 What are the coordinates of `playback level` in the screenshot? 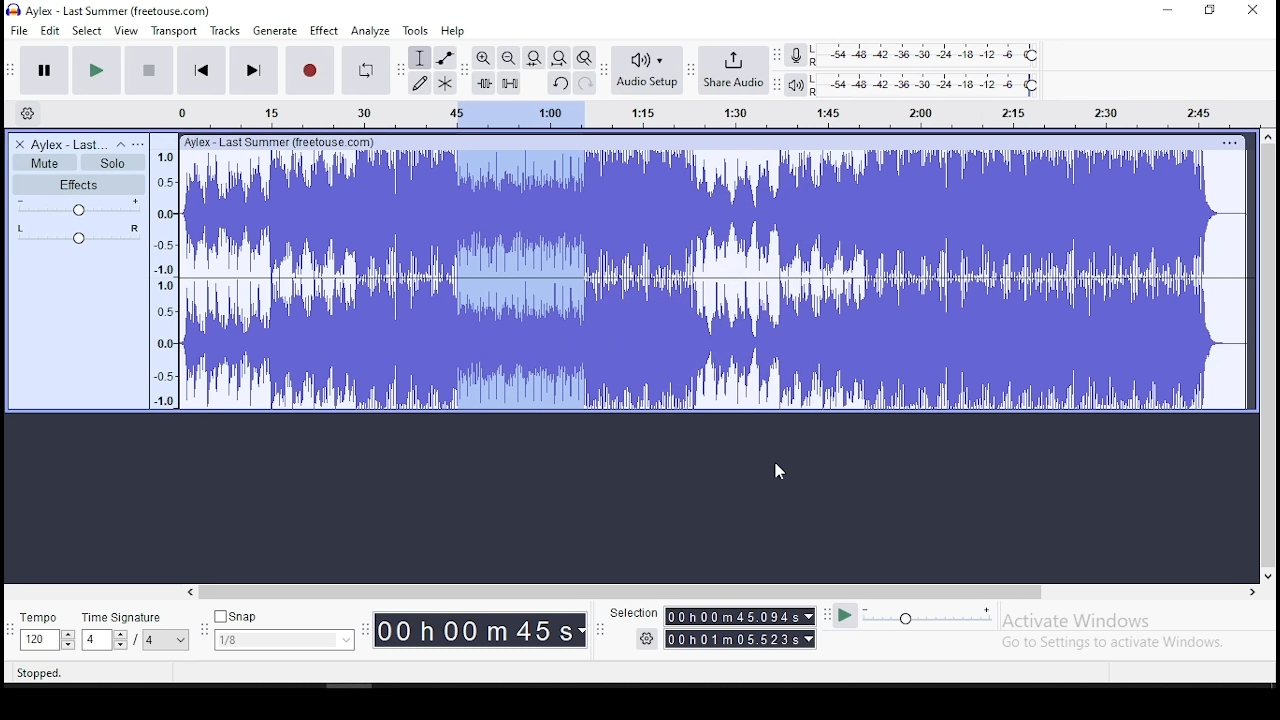 It's located at (934, 85).